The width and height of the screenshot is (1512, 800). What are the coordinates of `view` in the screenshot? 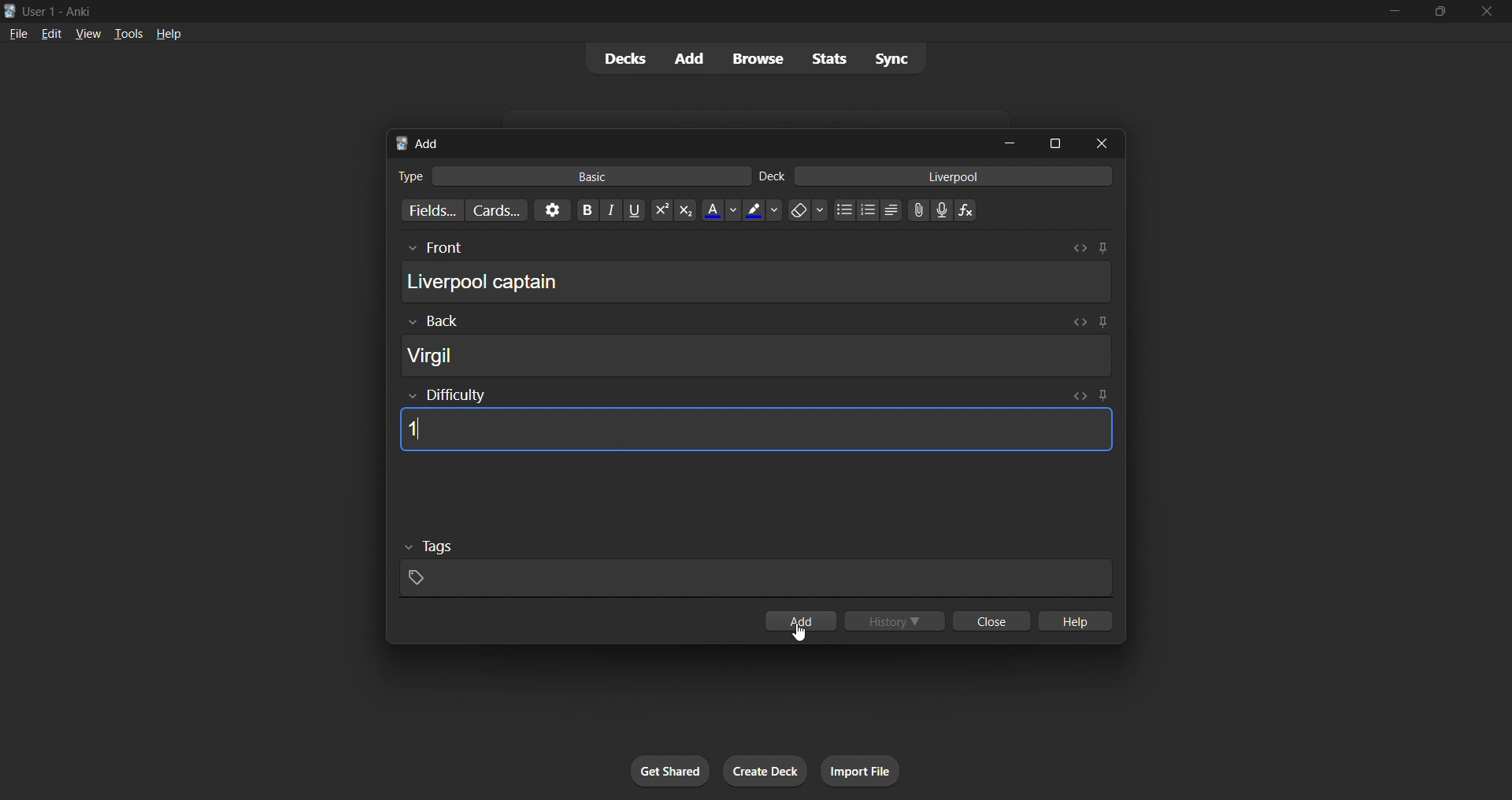 It's located at (88, 33).